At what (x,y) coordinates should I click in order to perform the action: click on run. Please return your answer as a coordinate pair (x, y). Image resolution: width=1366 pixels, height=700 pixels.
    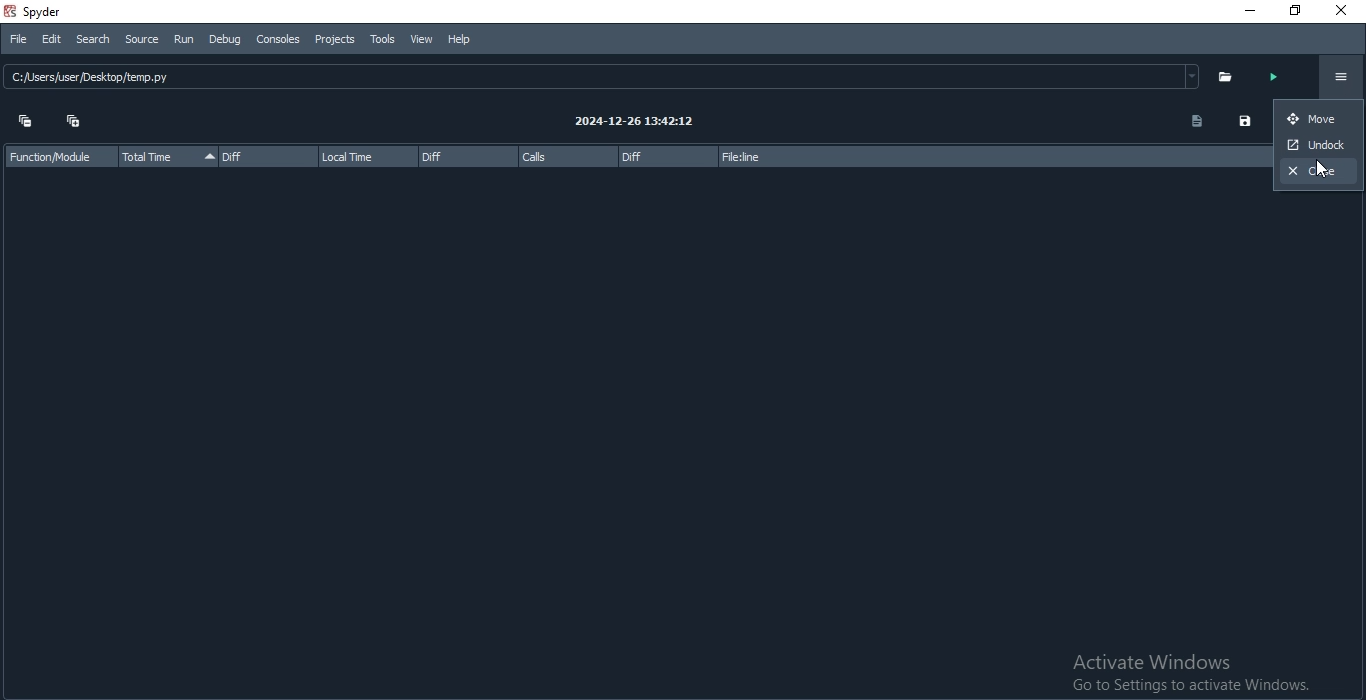
    Looking at the image, I should click on (1271, 78).